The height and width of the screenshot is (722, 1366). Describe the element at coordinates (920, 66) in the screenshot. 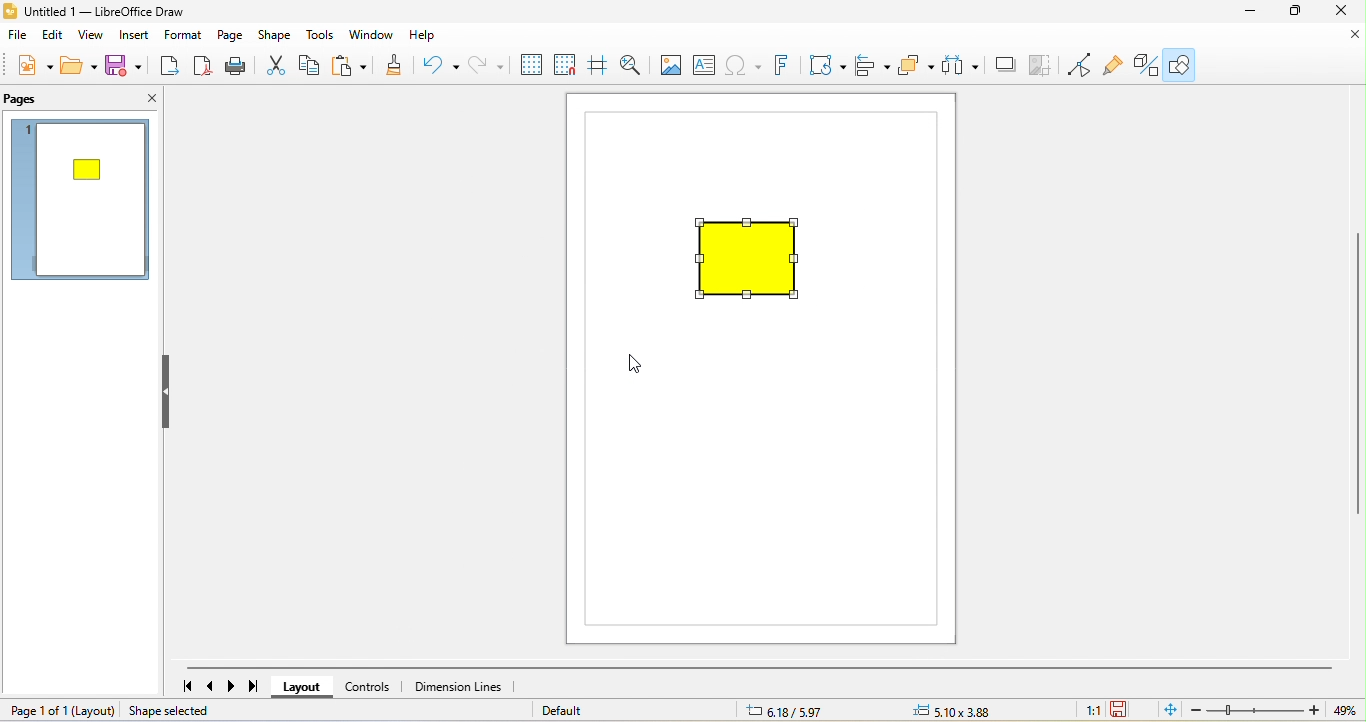

I see `arrange` at that location.